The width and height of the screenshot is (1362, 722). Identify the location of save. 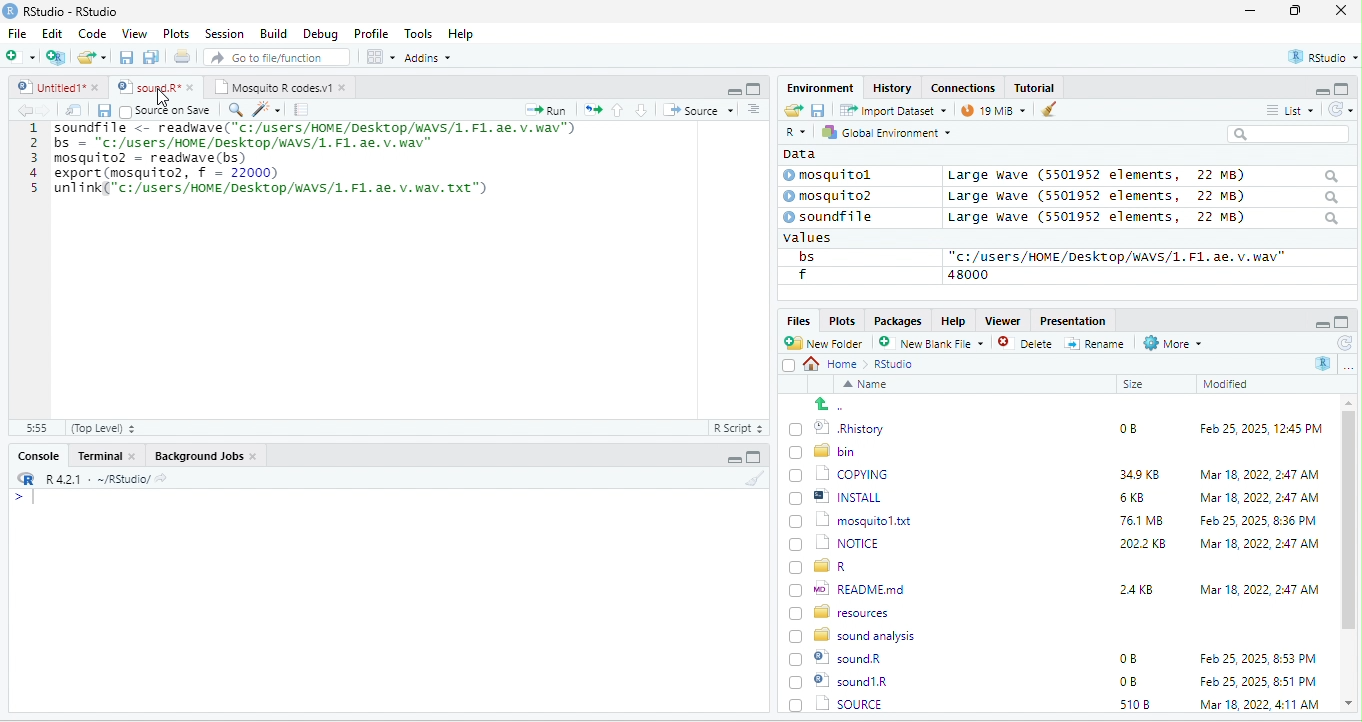
(817, 109).